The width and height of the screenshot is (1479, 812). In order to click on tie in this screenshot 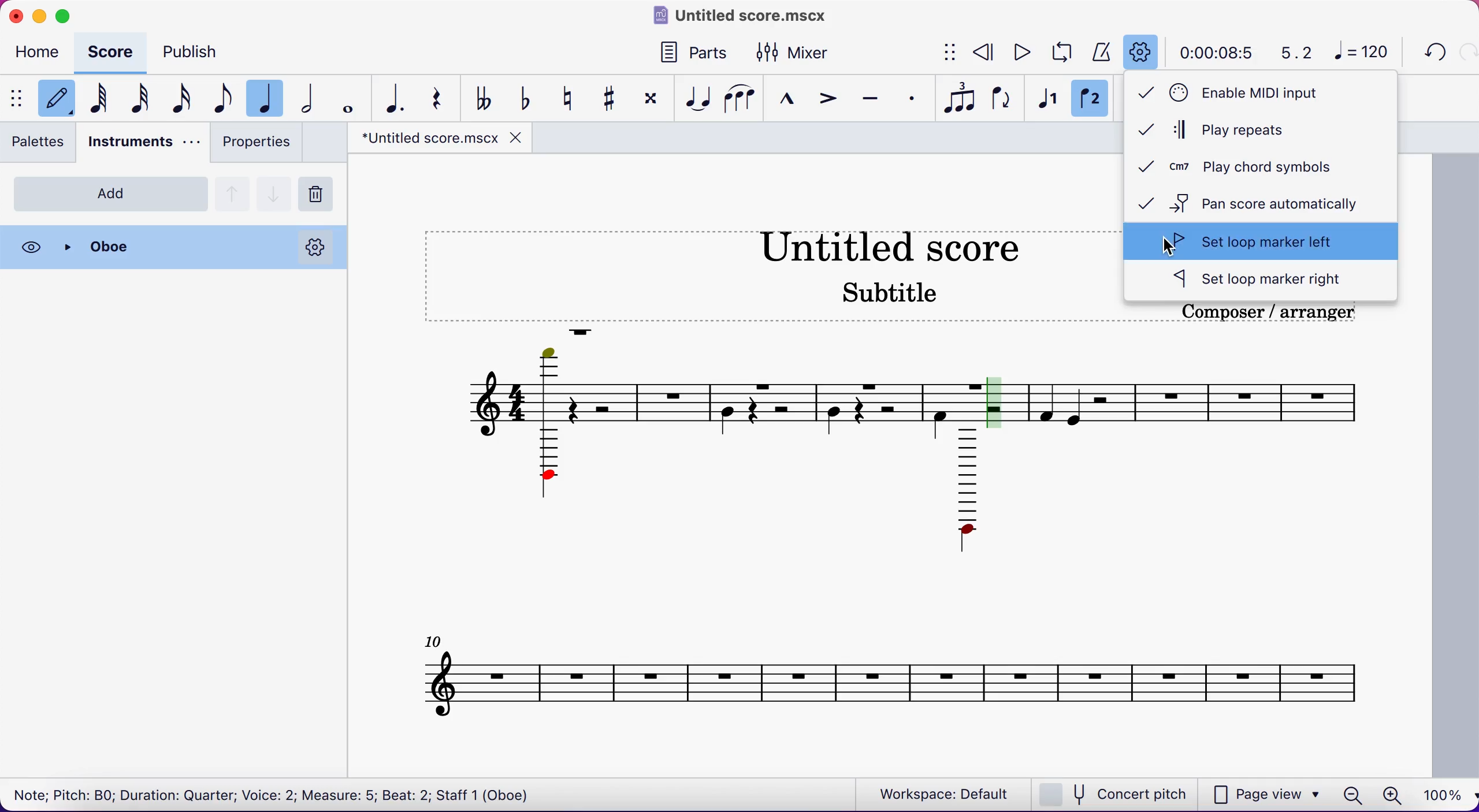, I will do `click(697, 99)`.